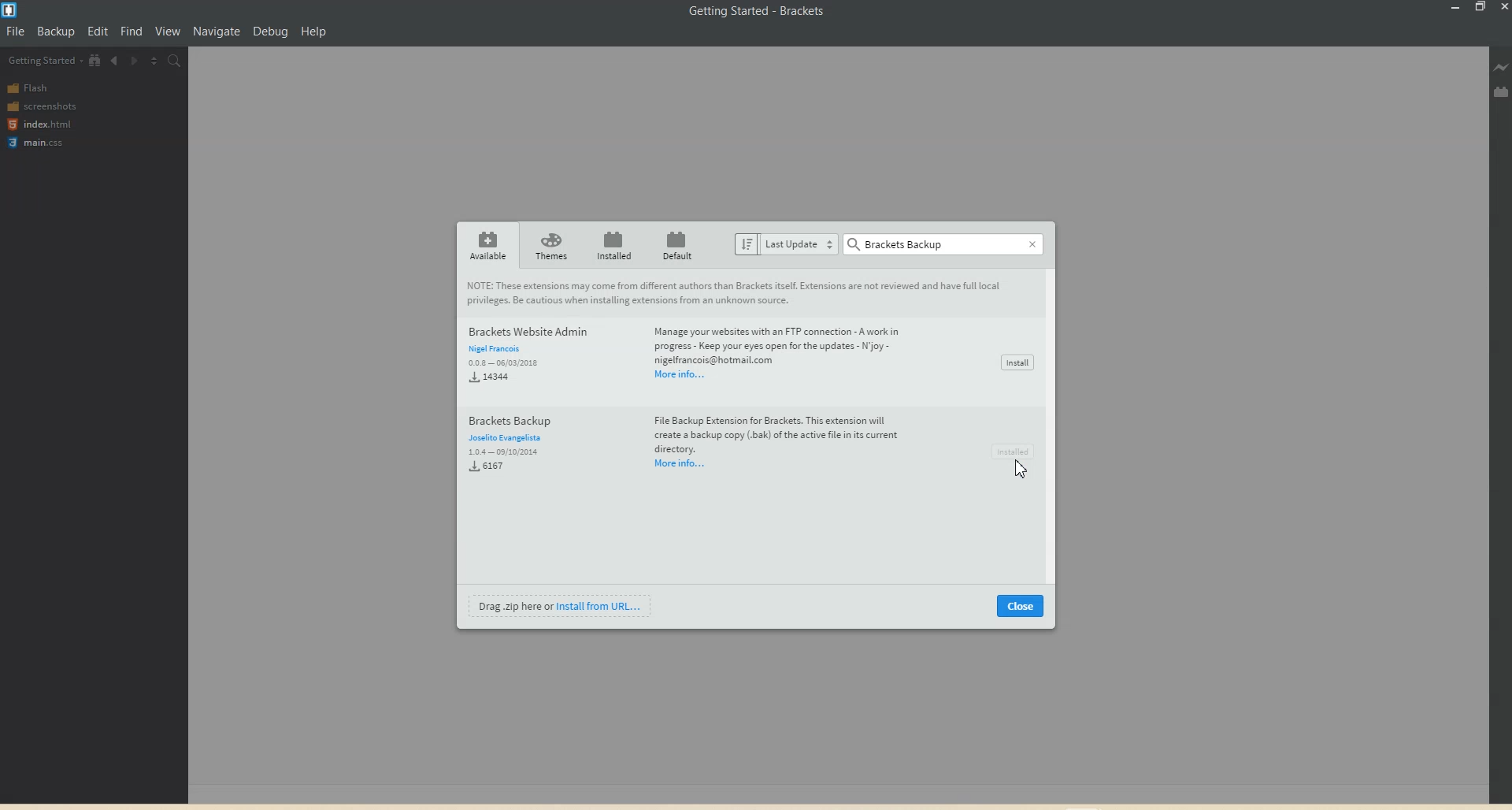 Image resolution: width=1512 pixels, height=810 pixels. I want to click on Availablr, so click(487, 245).